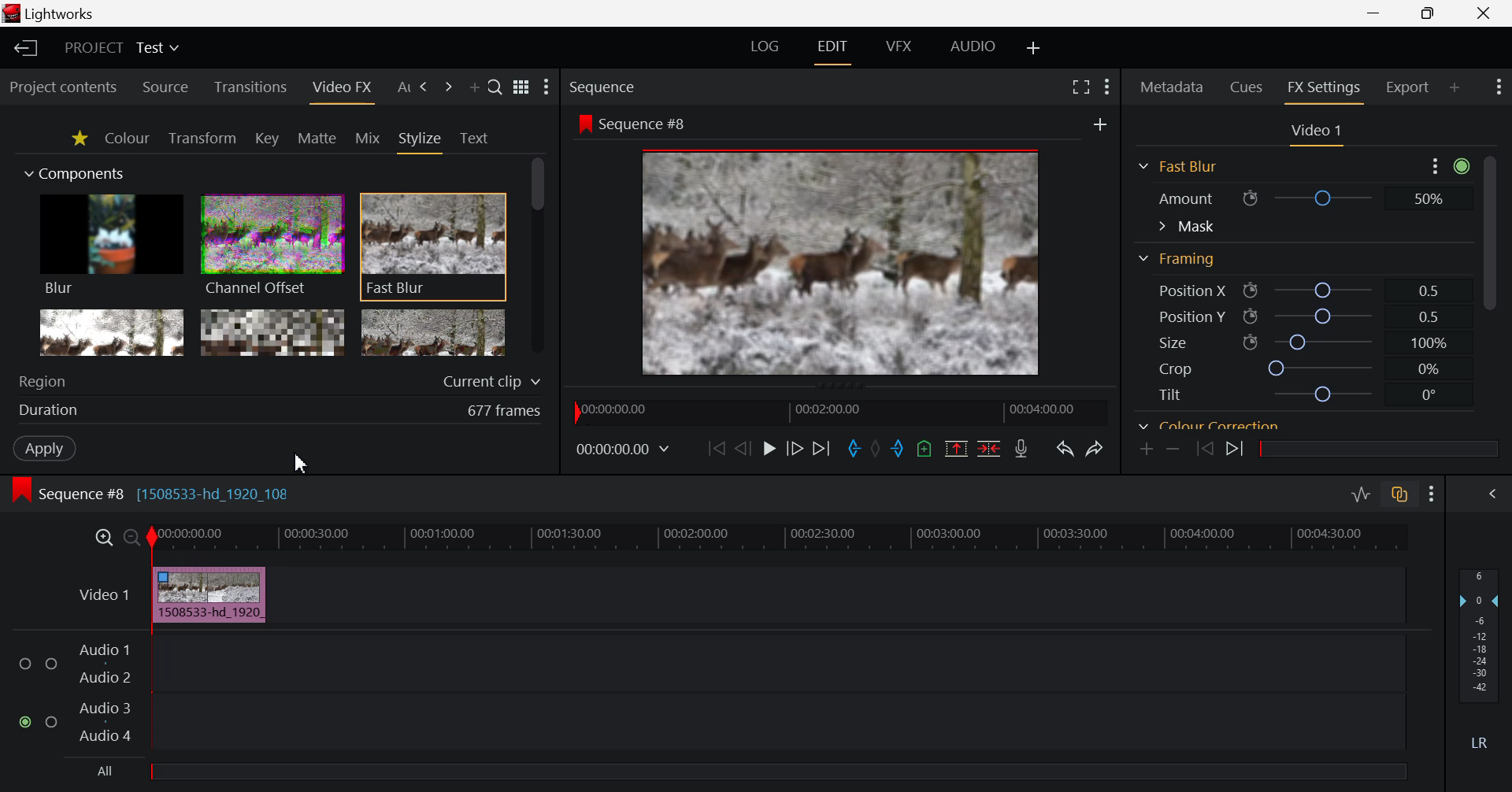  What do you see at coordinates (165, 495) in the screenshot?
I see `Sequence #8 [1508533-hd_1920_108` at bounding box center [165, 495].